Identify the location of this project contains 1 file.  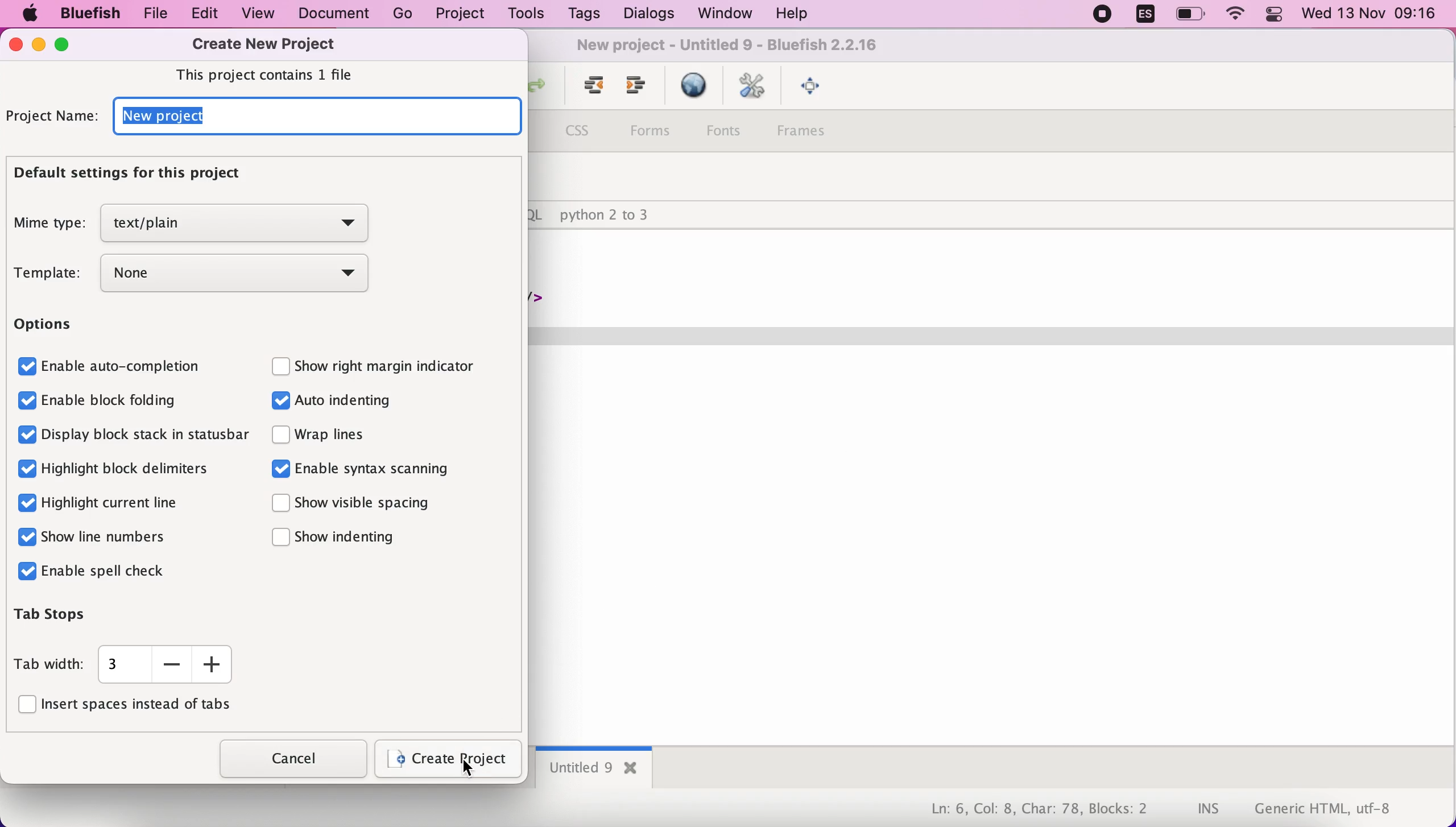
(272, 74).